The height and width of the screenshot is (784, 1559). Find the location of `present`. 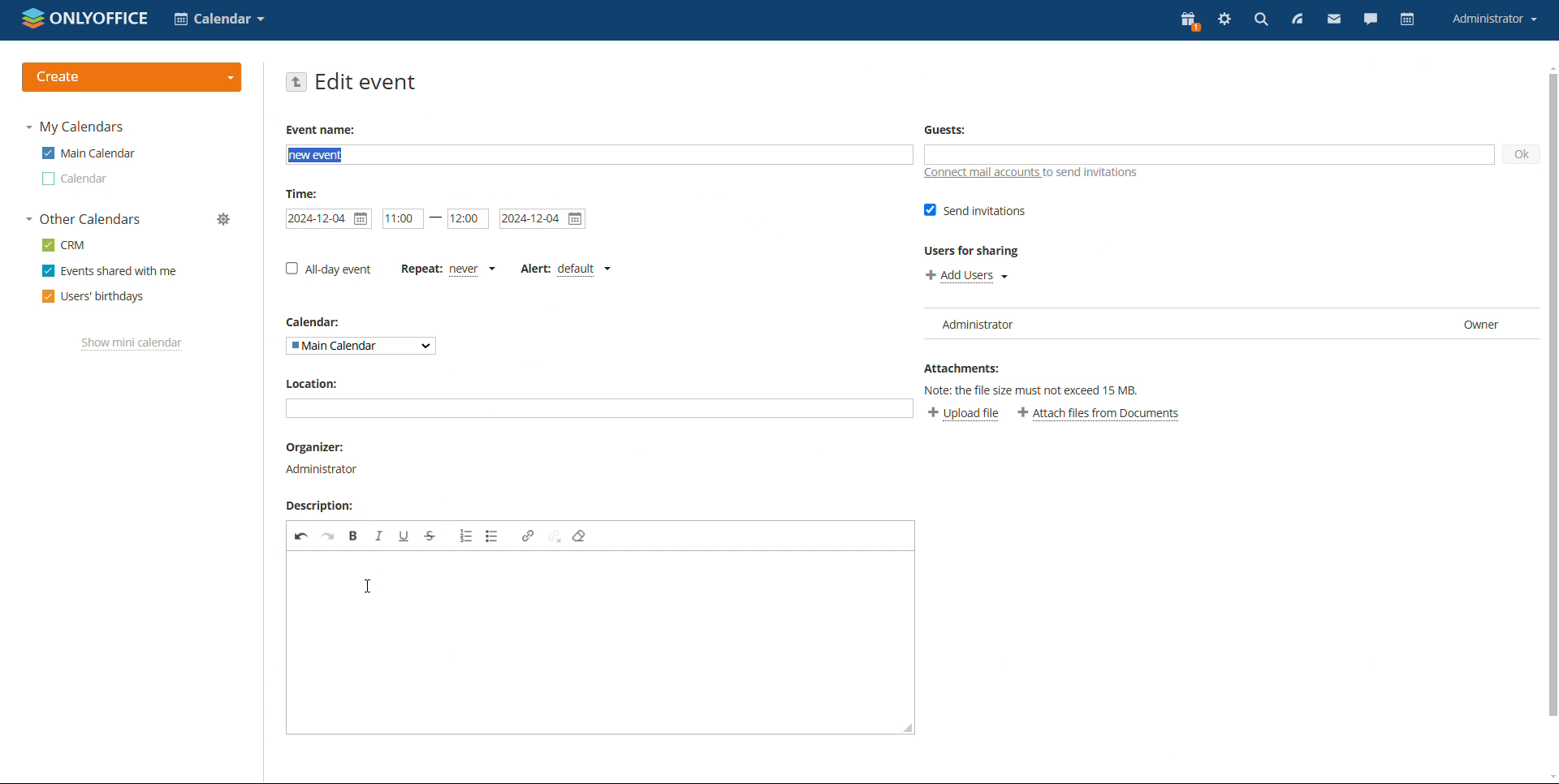

present is located at coordinates (1189, 21).